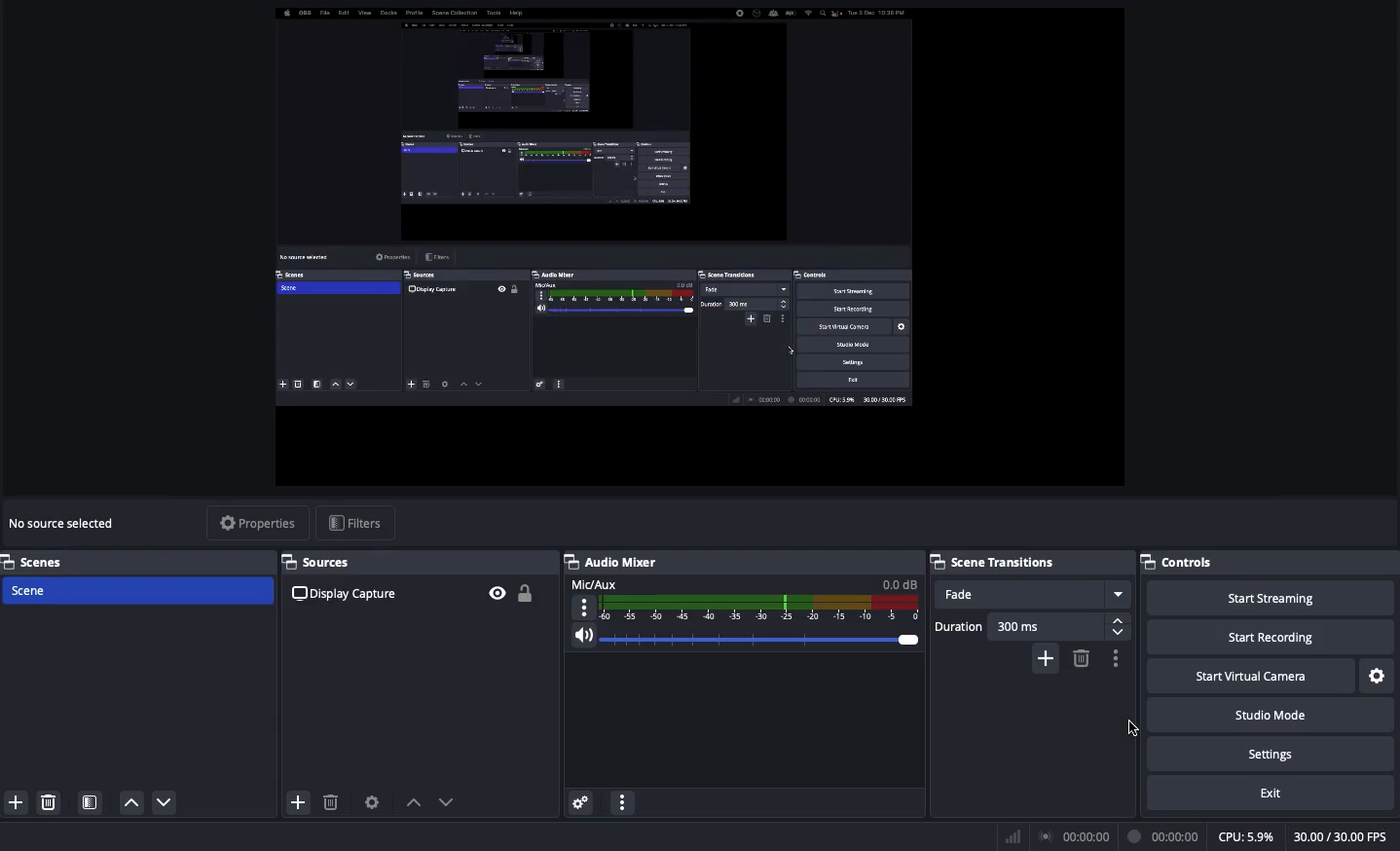 Image resolution: width=1400 pixels, height=851 pixels. I want to click on Start recording, so click(1283, 639).